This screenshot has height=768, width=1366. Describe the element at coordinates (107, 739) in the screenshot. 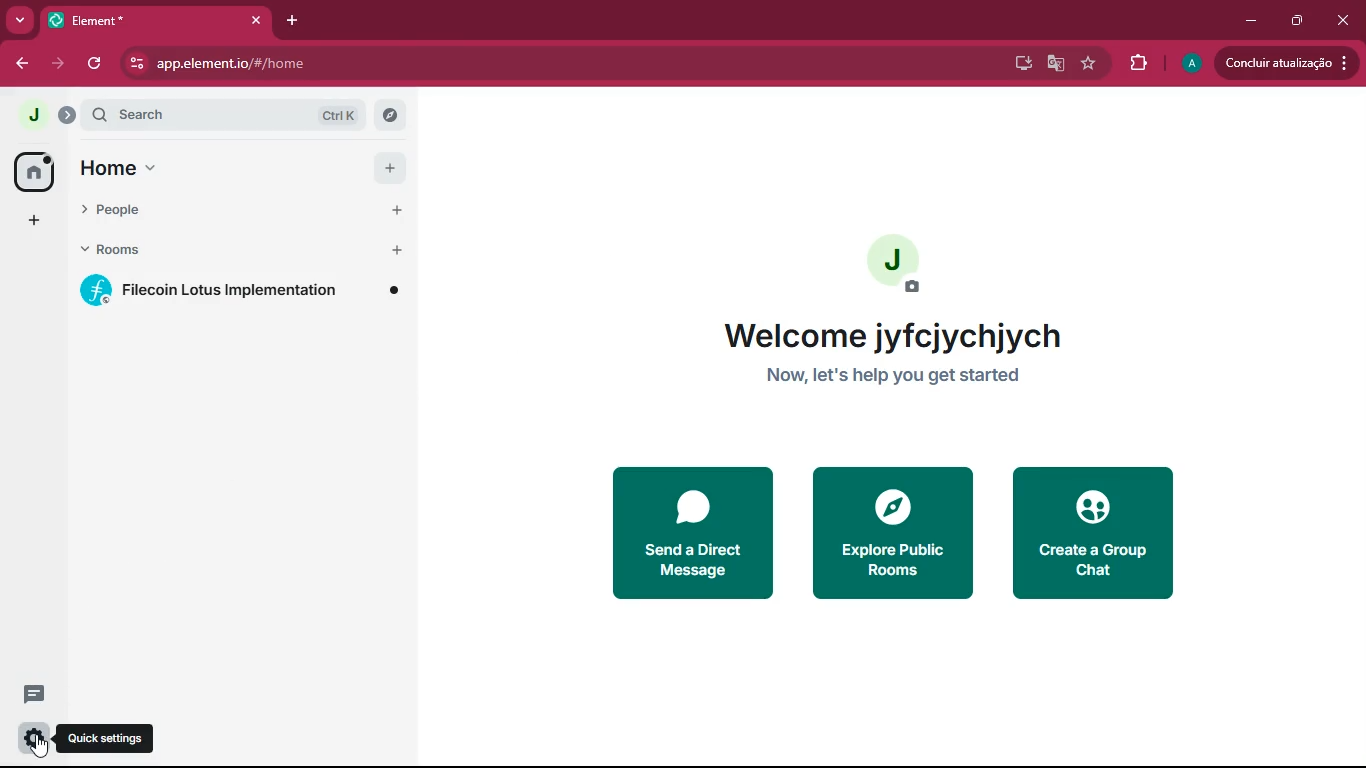

I see `quick settings` at that location.